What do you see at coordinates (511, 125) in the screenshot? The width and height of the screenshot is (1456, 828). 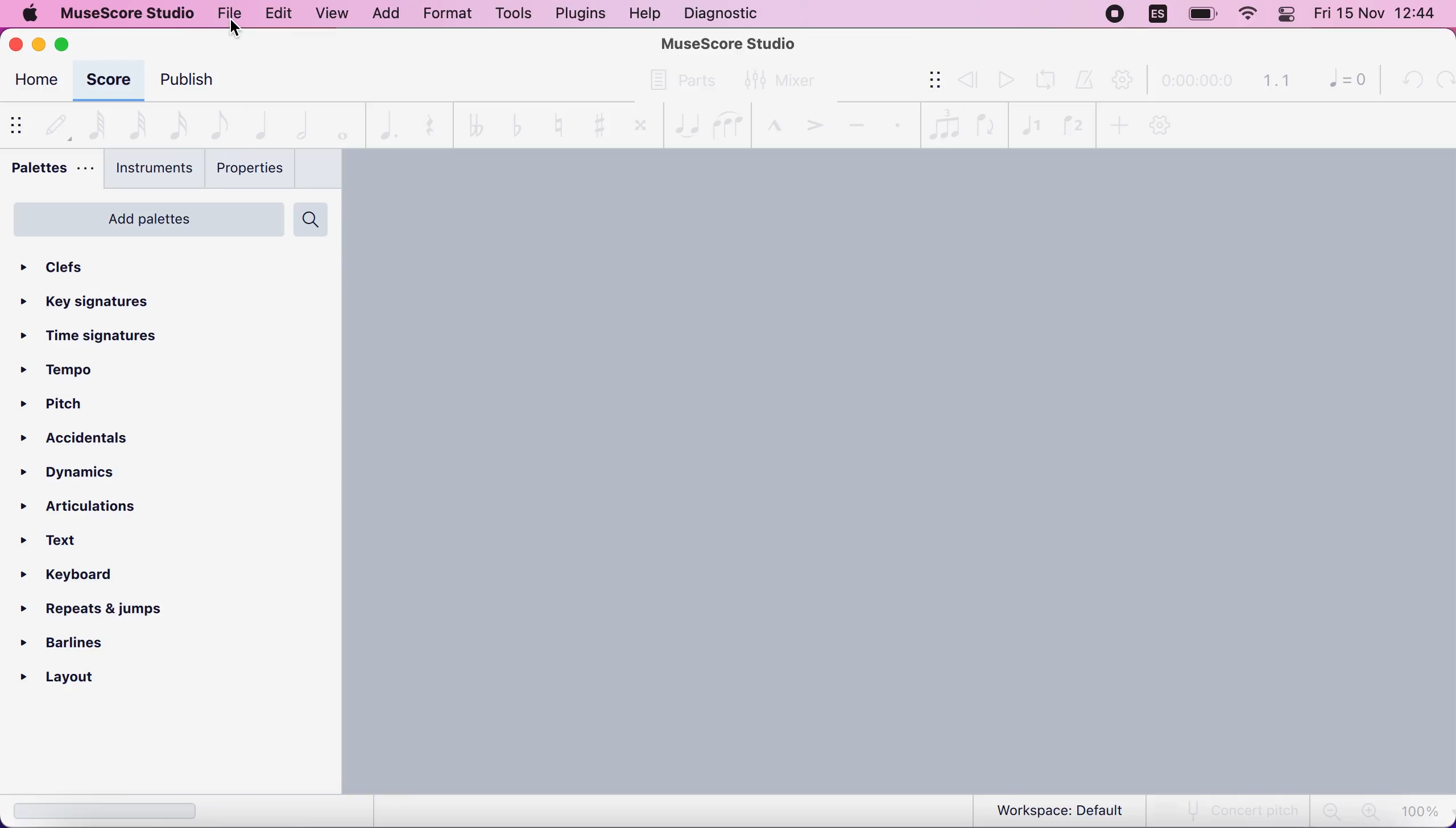 I see `toggle flat` at bounding box center [511, 125].